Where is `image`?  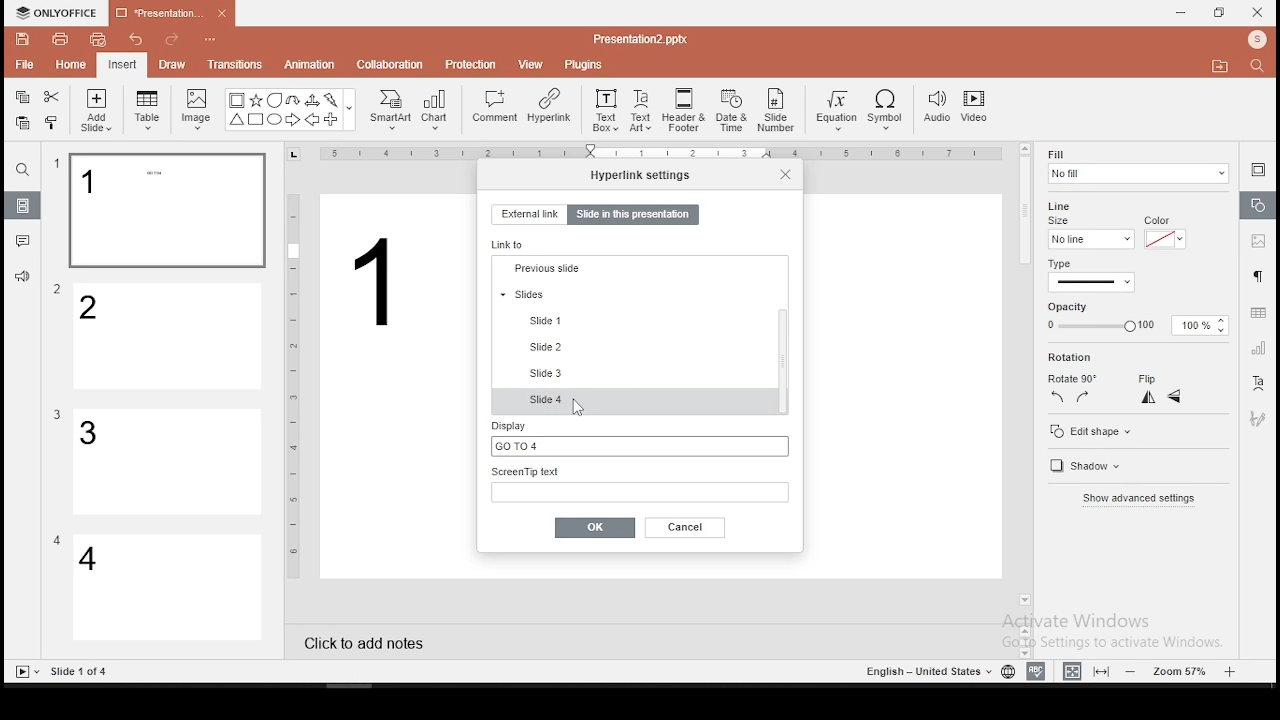
image is located at coordinates (198, 109).